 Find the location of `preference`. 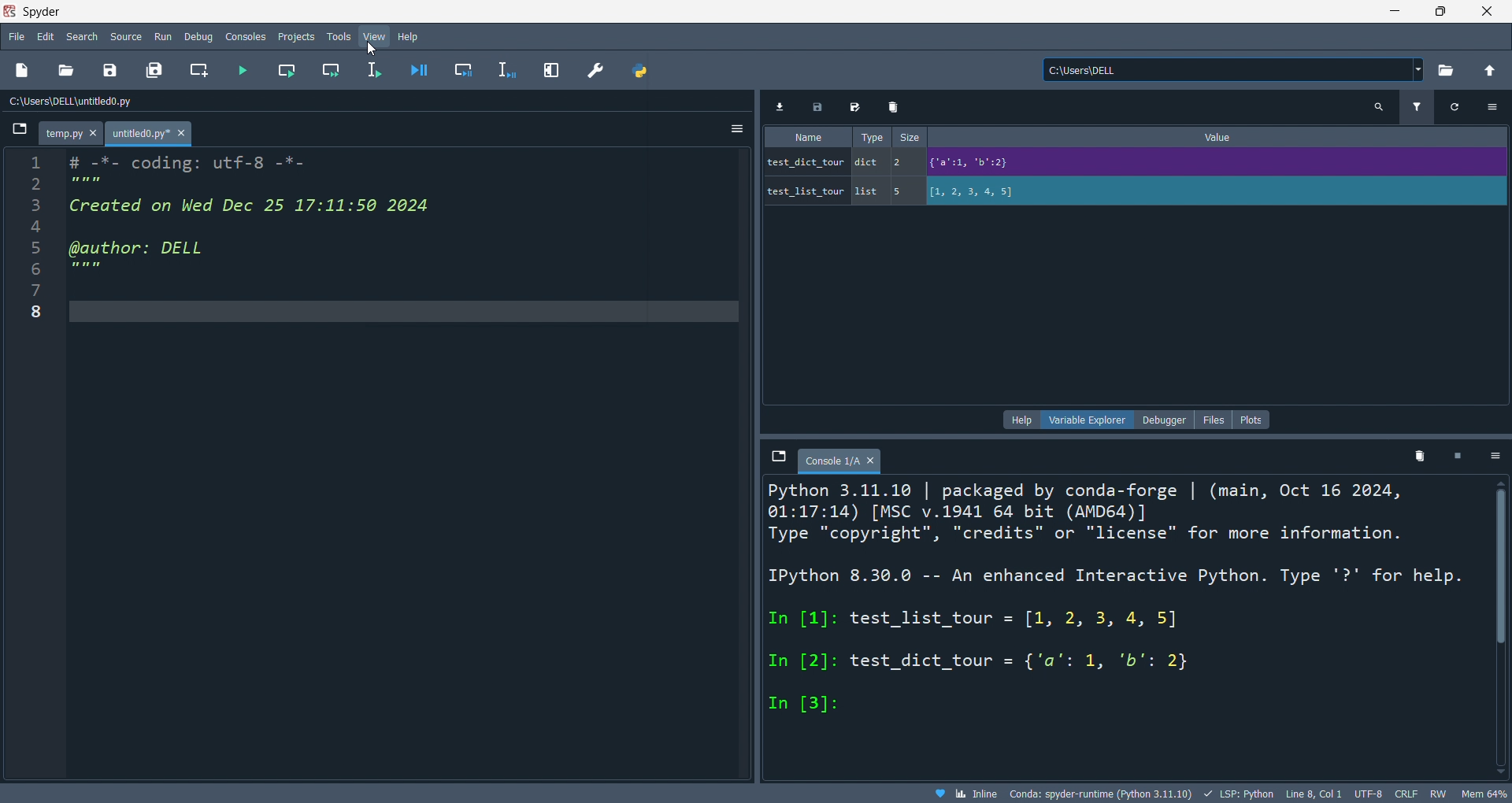

preference is located at coordinates (595, 70).